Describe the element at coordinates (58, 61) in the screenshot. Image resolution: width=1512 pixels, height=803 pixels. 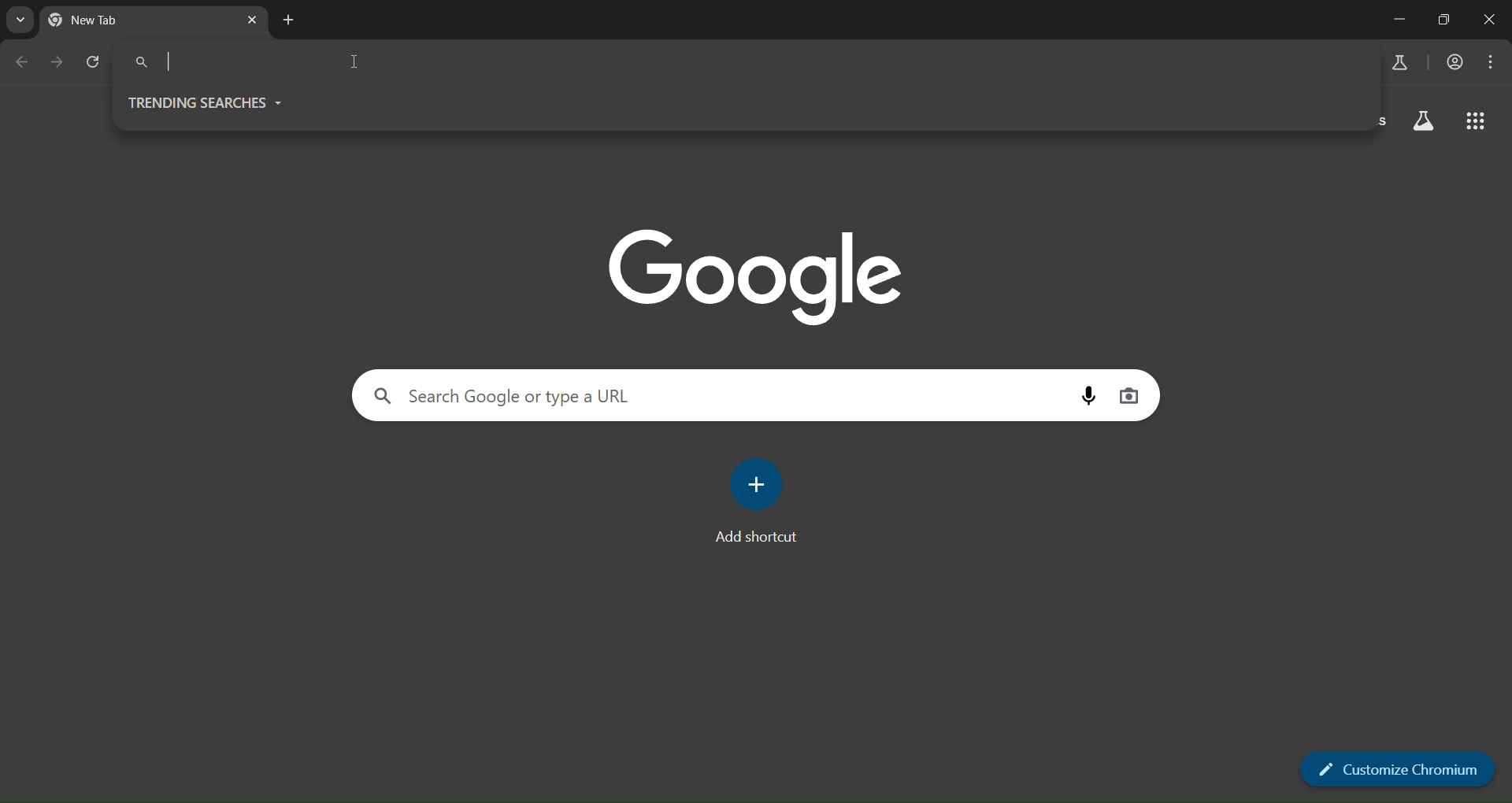
I see `go forward one page` at that location.